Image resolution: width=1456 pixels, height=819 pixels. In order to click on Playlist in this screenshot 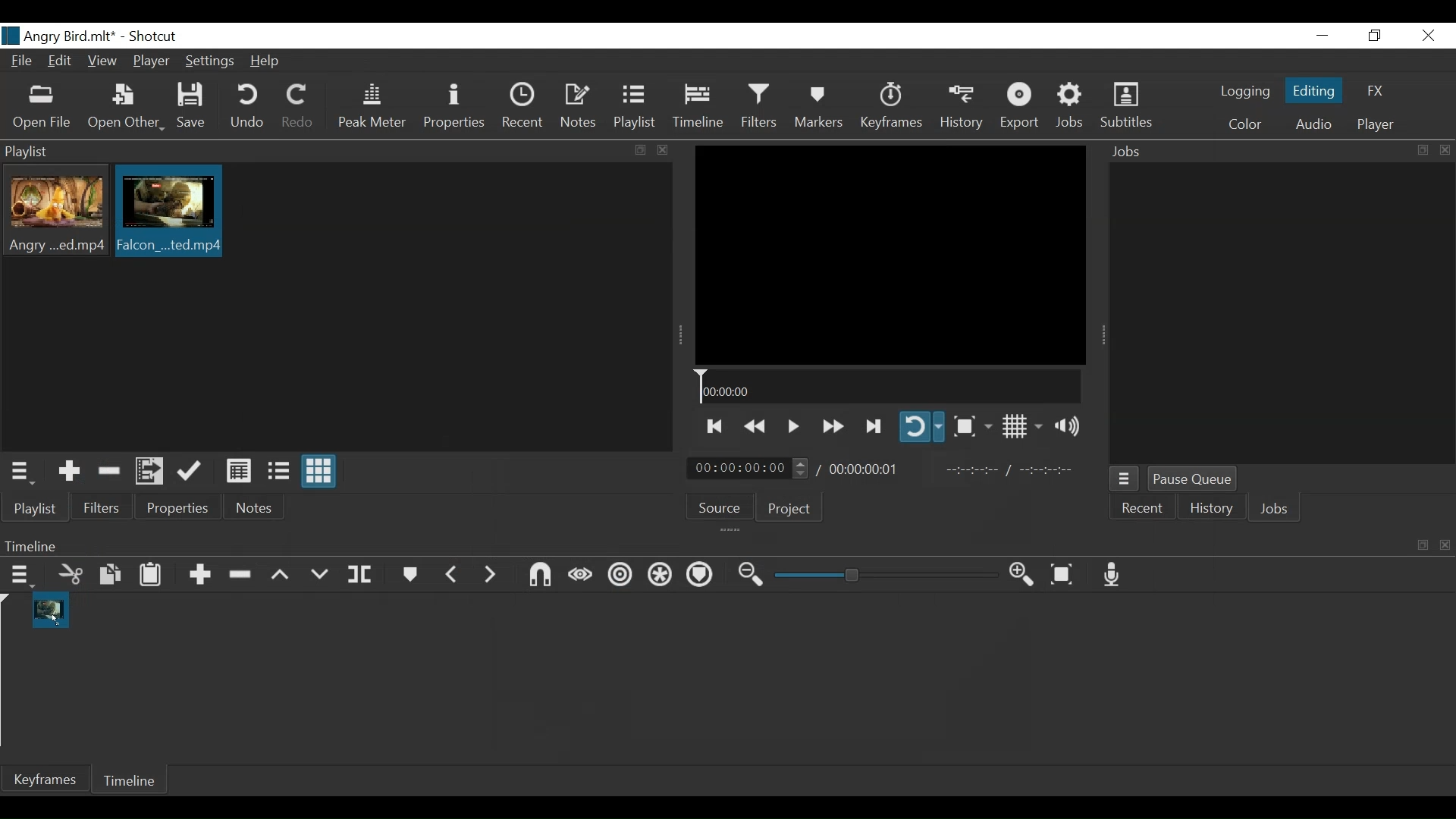, I will do `click(36, 508)`.